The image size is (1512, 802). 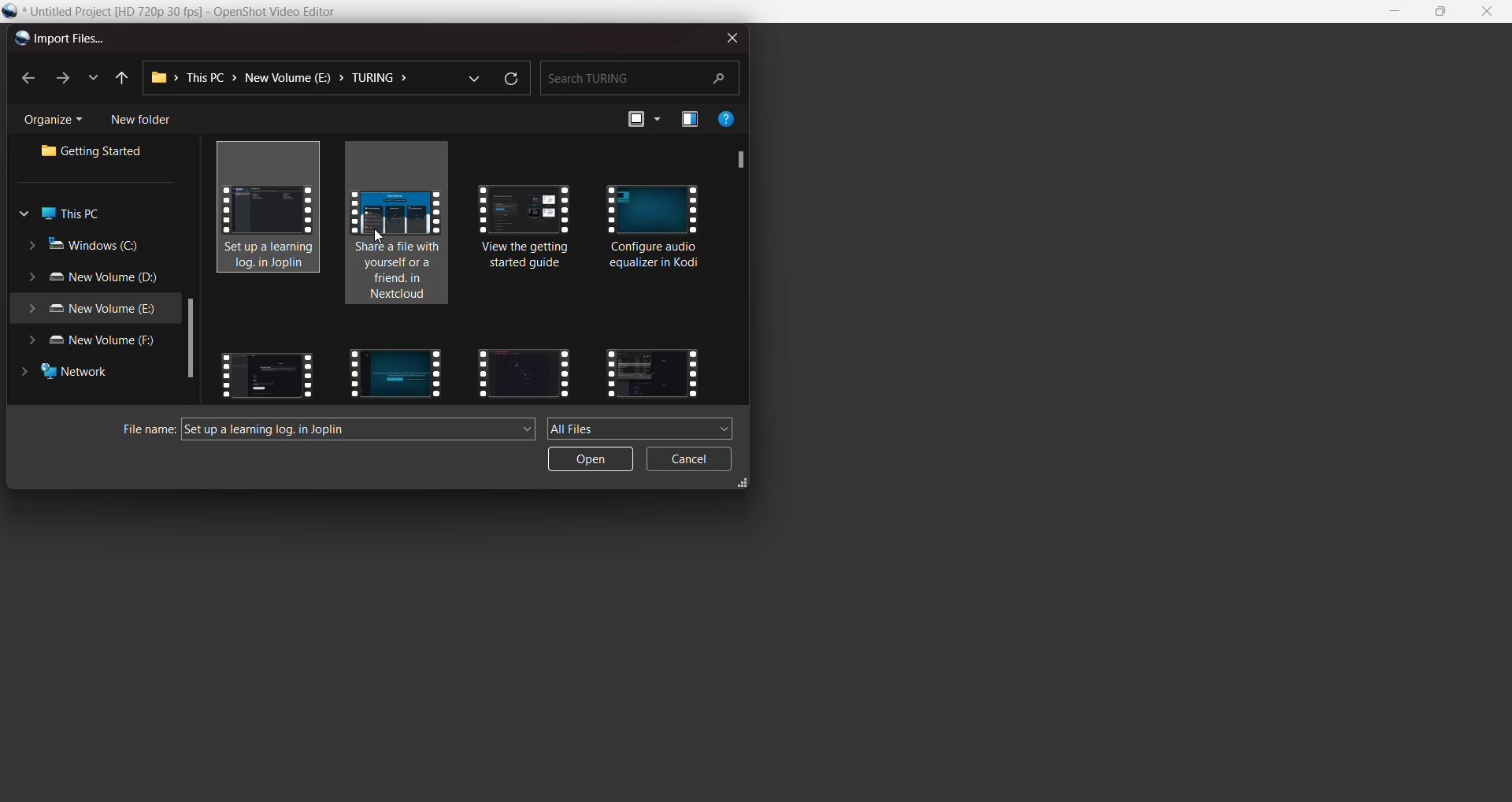 I want to click on network, so click(x=72, y=375).